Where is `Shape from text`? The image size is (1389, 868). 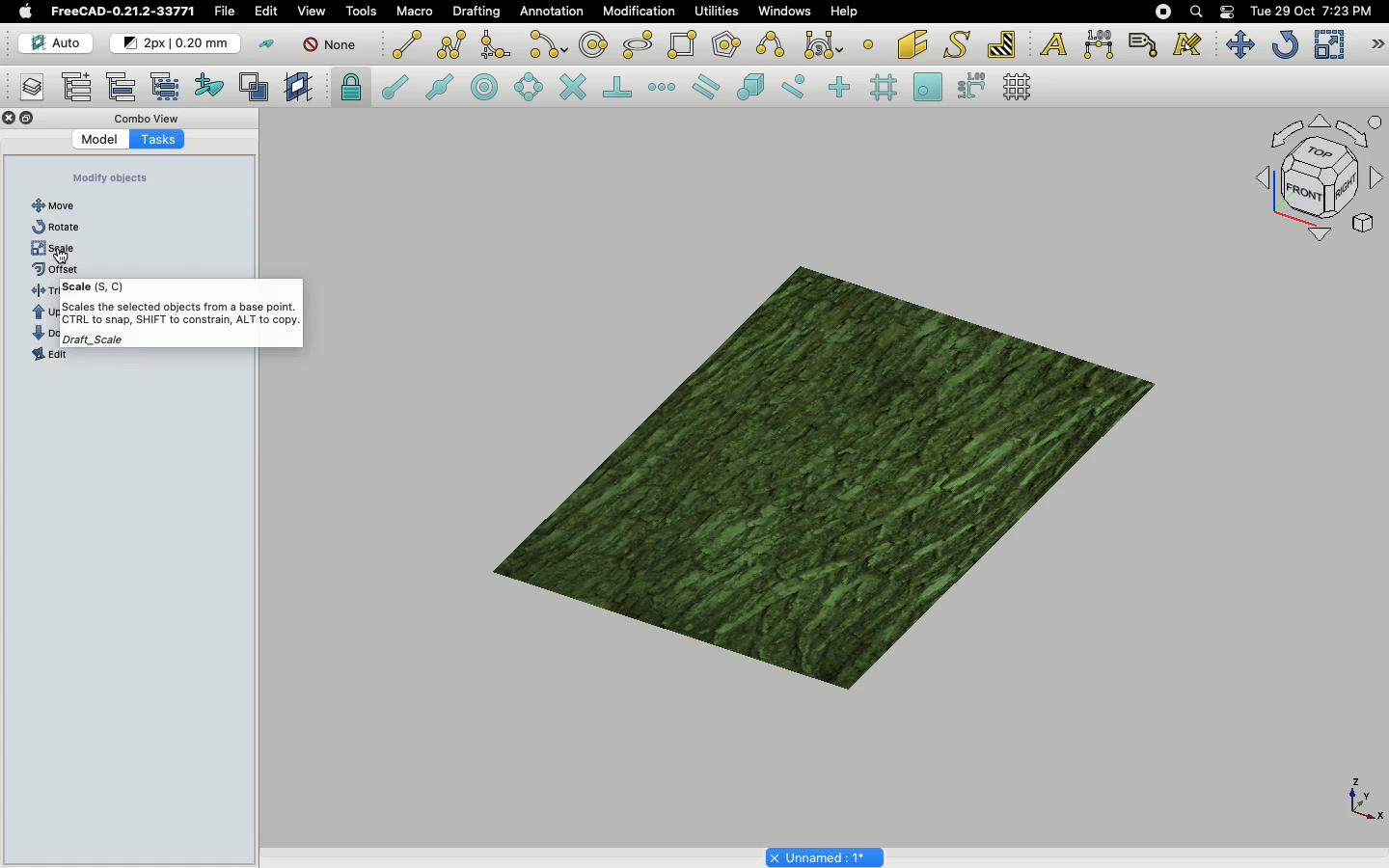 Shape from text is located at coordinates (955, 44).